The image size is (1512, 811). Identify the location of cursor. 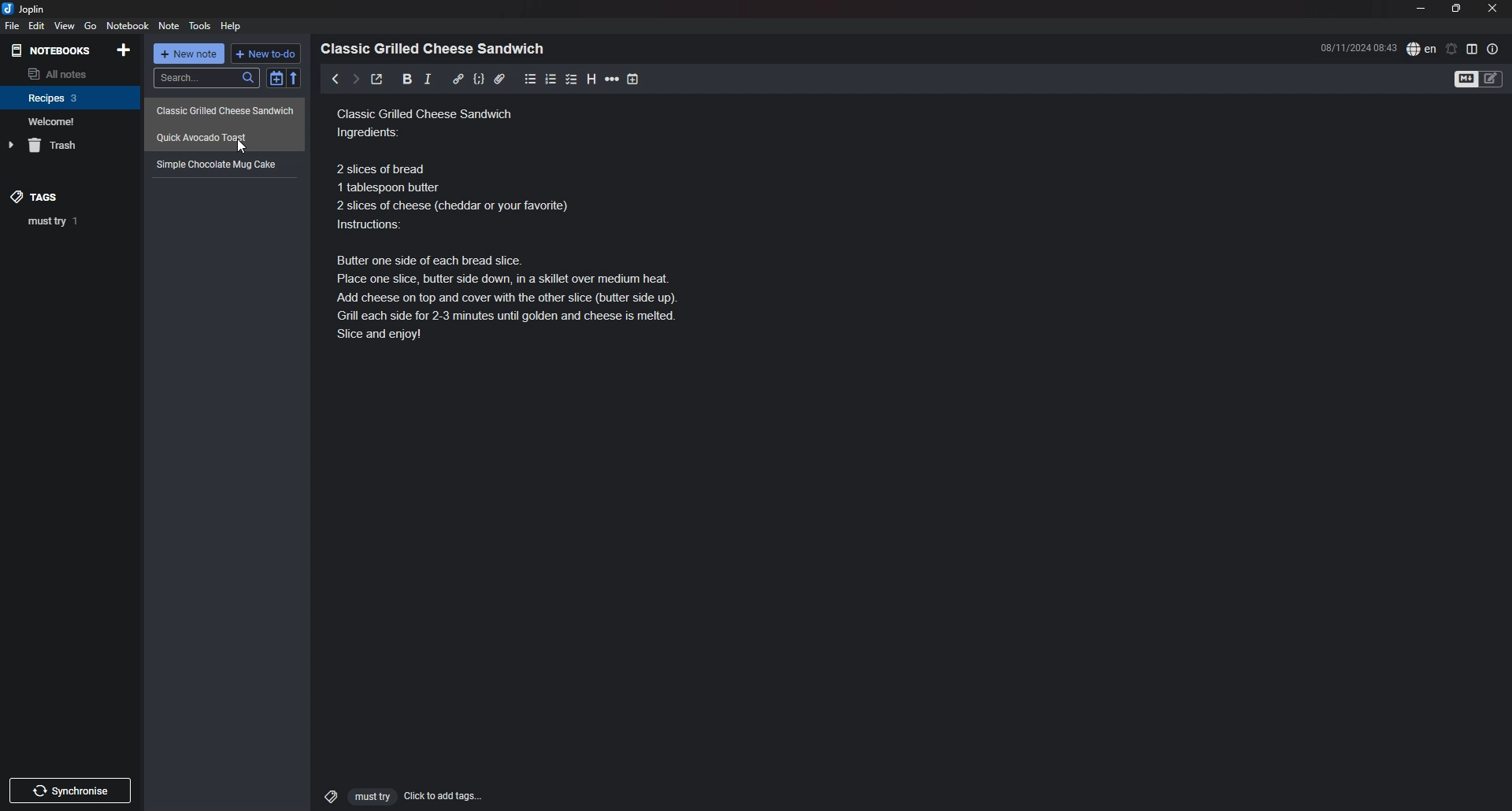
(243, 147).